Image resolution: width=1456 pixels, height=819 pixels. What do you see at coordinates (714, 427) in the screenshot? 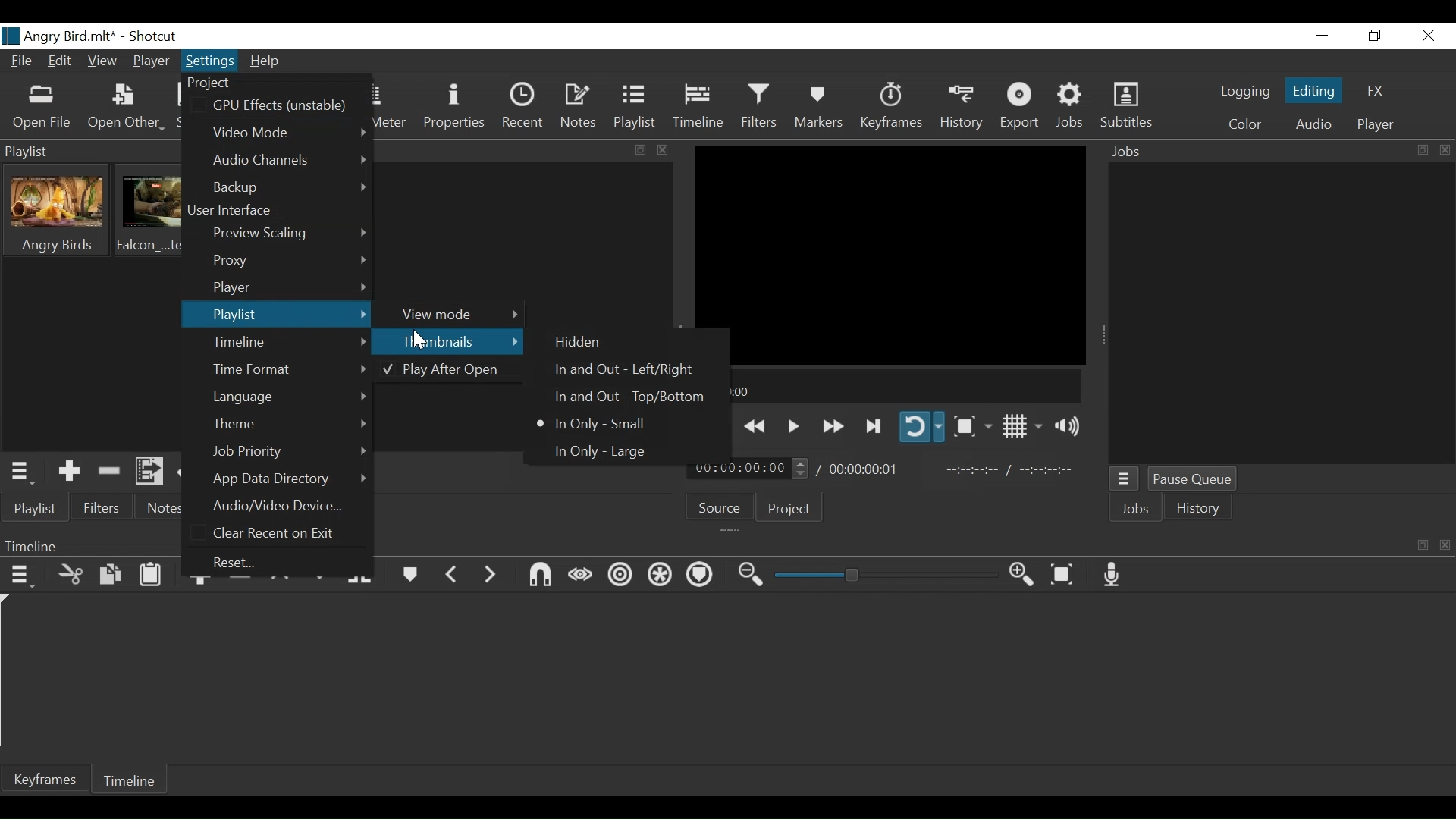
I see `Skip to the next point` at bounding box center [714, 427].